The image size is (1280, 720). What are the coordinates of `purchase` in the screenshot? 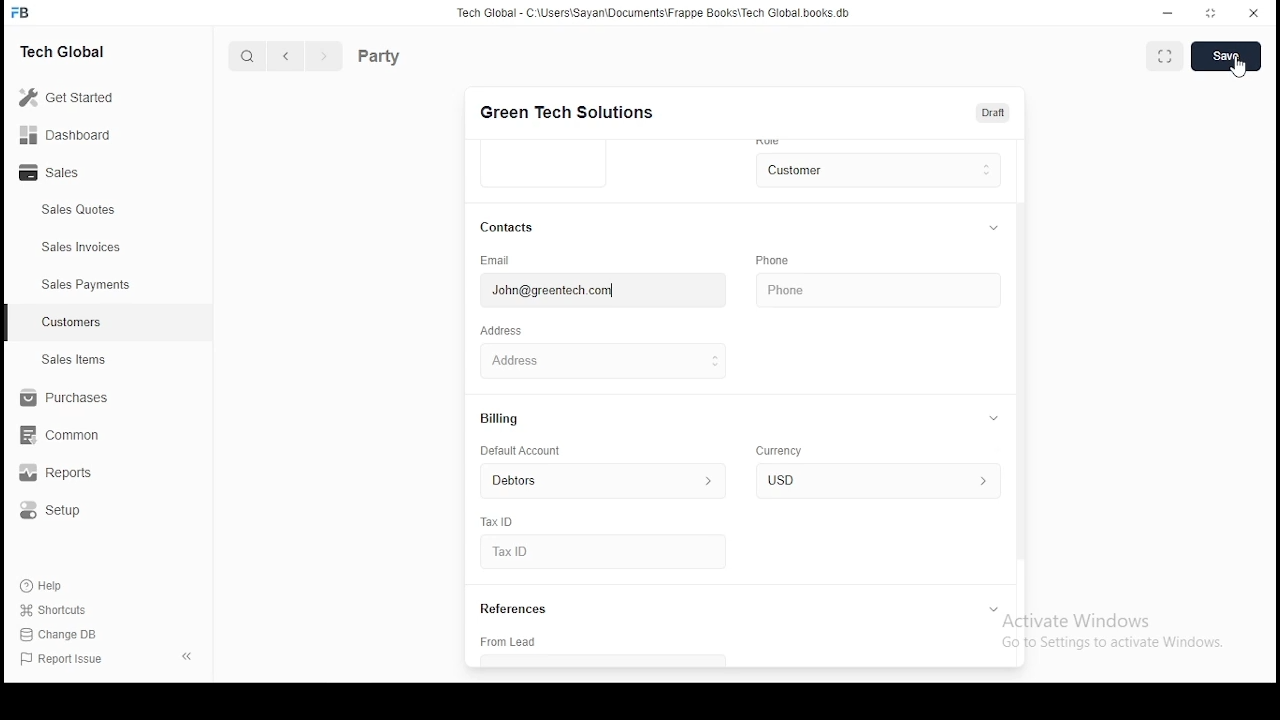 It's located at (59, 398).